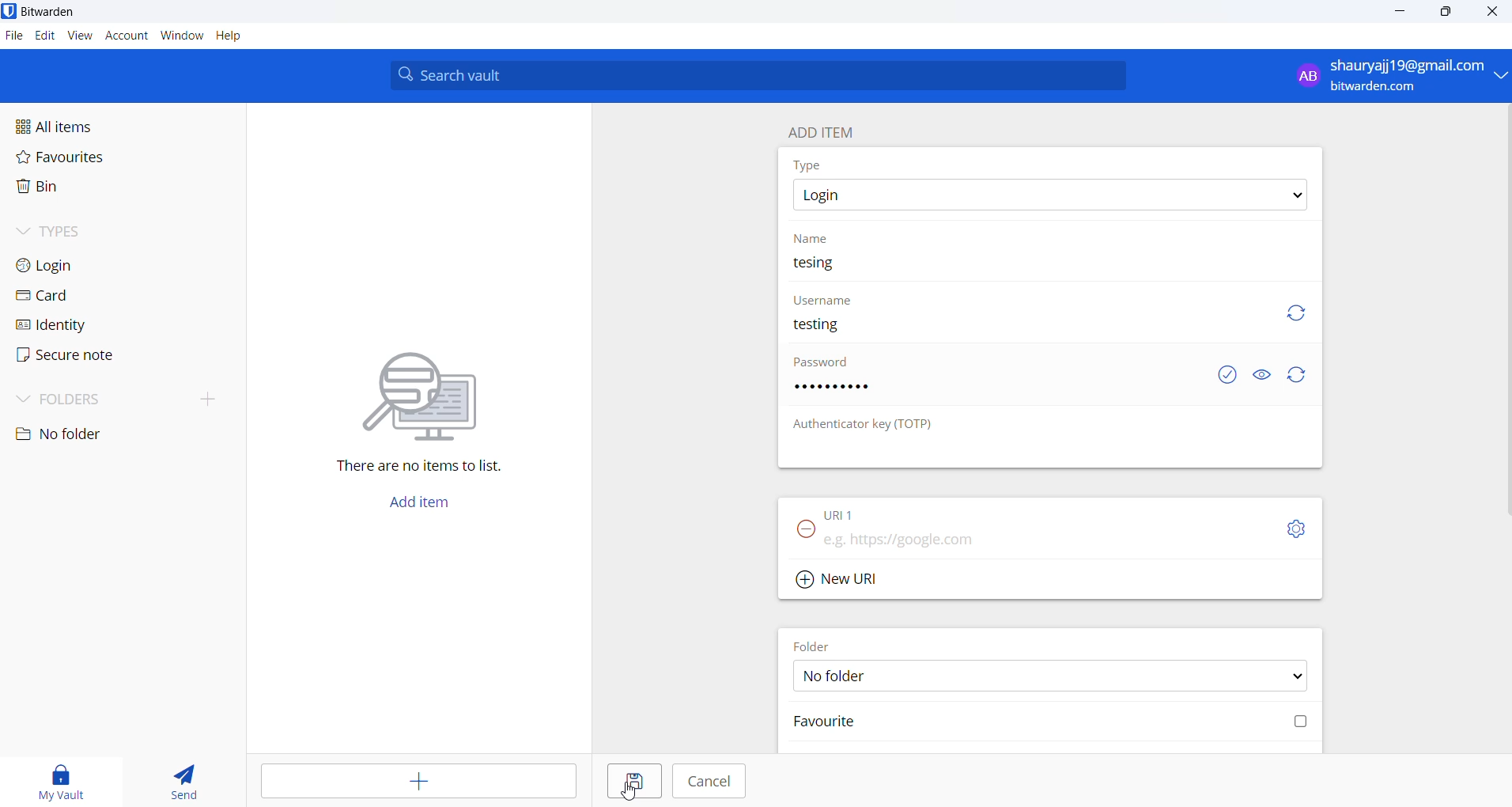 The image size is (1512, 807). Describe the element at coordinates (409, 468) in the screenshot. I see `sentence mentioning that there are no items in vault l` at that location.